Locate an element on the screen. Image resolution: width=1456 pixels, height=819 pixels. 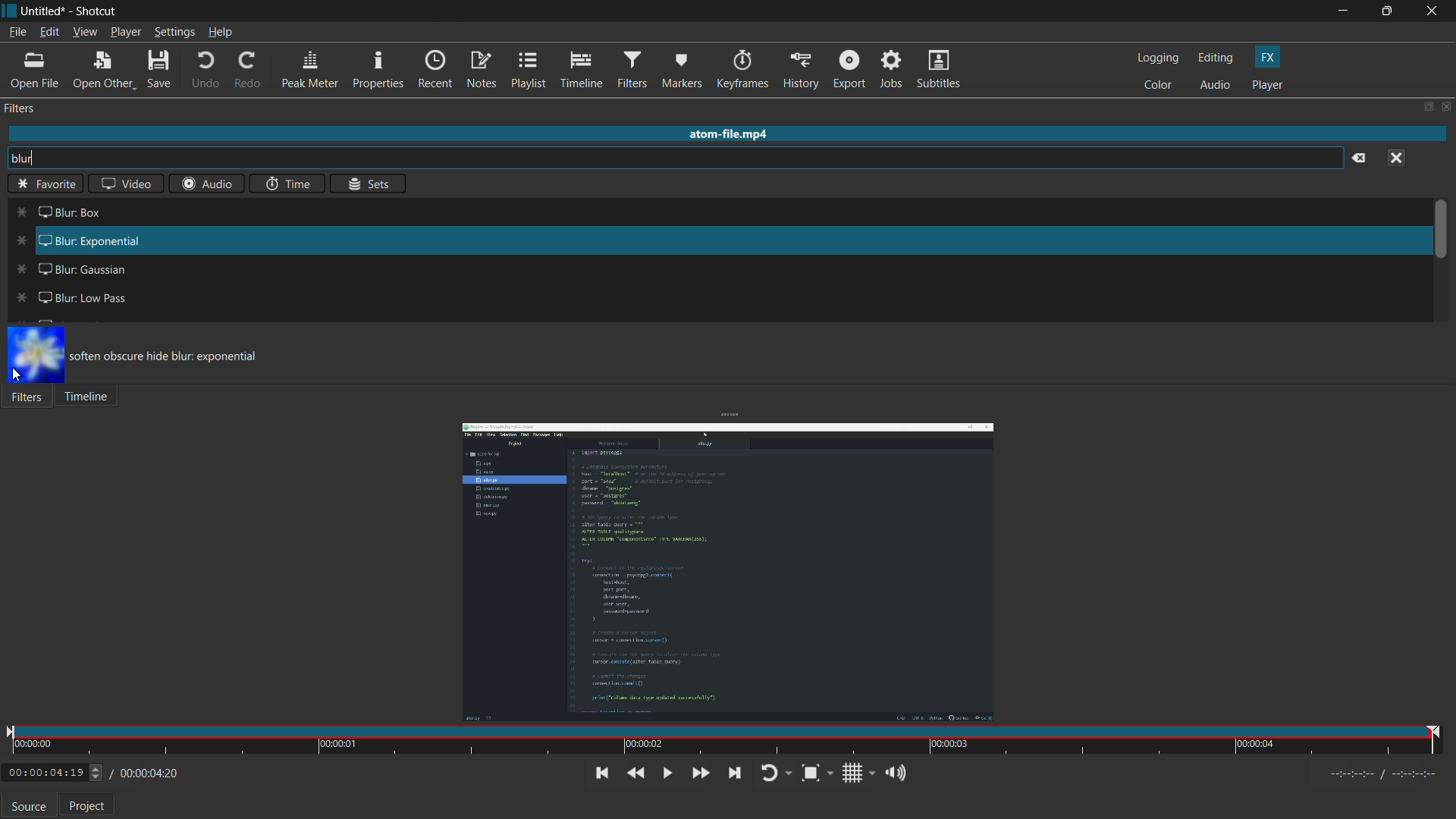
quickly play forward is located at coordinates (698, 773).